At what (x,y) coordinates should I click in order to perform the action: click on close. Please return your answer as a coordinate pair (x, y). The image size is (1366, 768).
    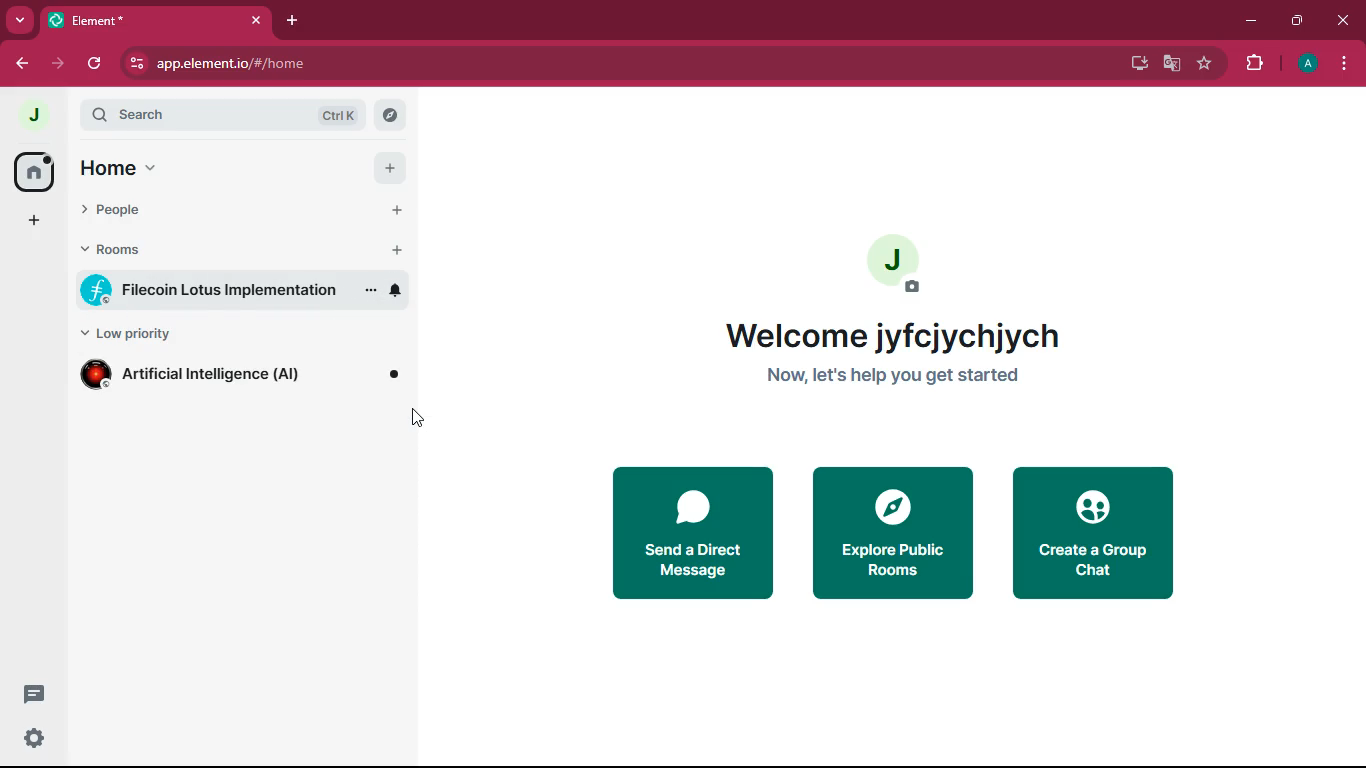
    Looking at the image, I should click on (1340, 22).